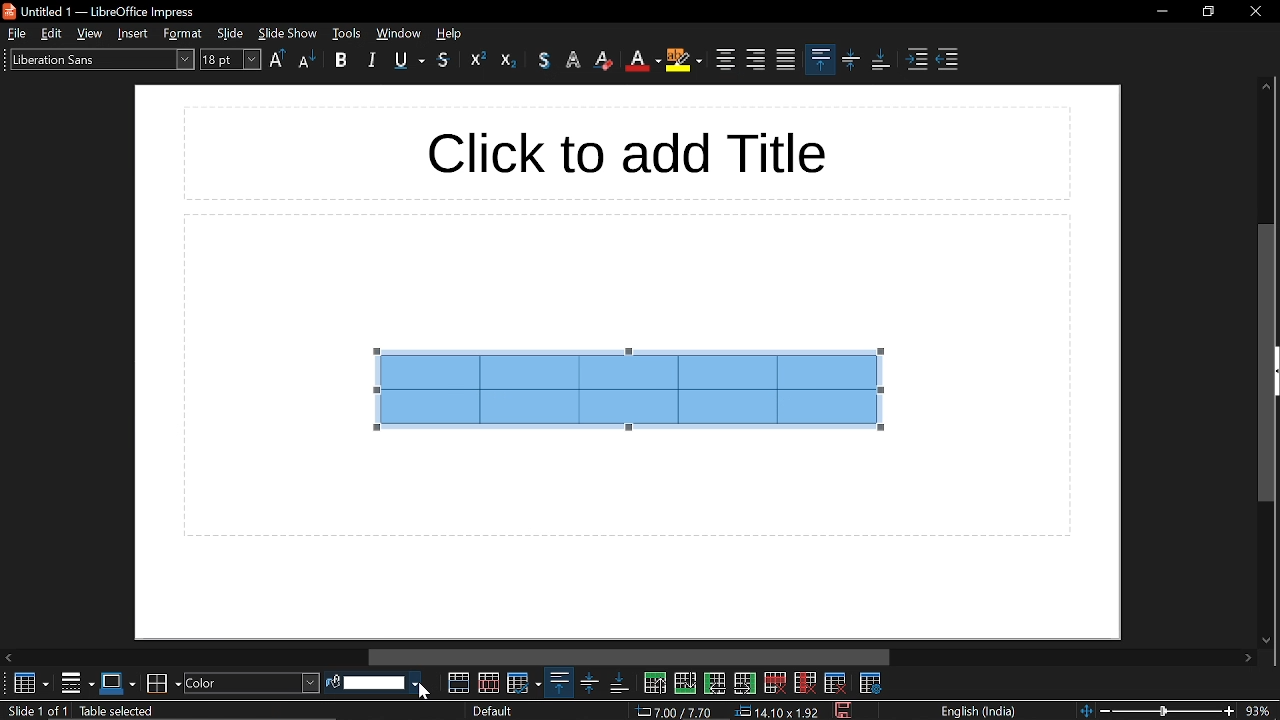  What do you see at coordinates (821, 59) in the screenshot?
I see `align top` at bounding box center [821, 59].